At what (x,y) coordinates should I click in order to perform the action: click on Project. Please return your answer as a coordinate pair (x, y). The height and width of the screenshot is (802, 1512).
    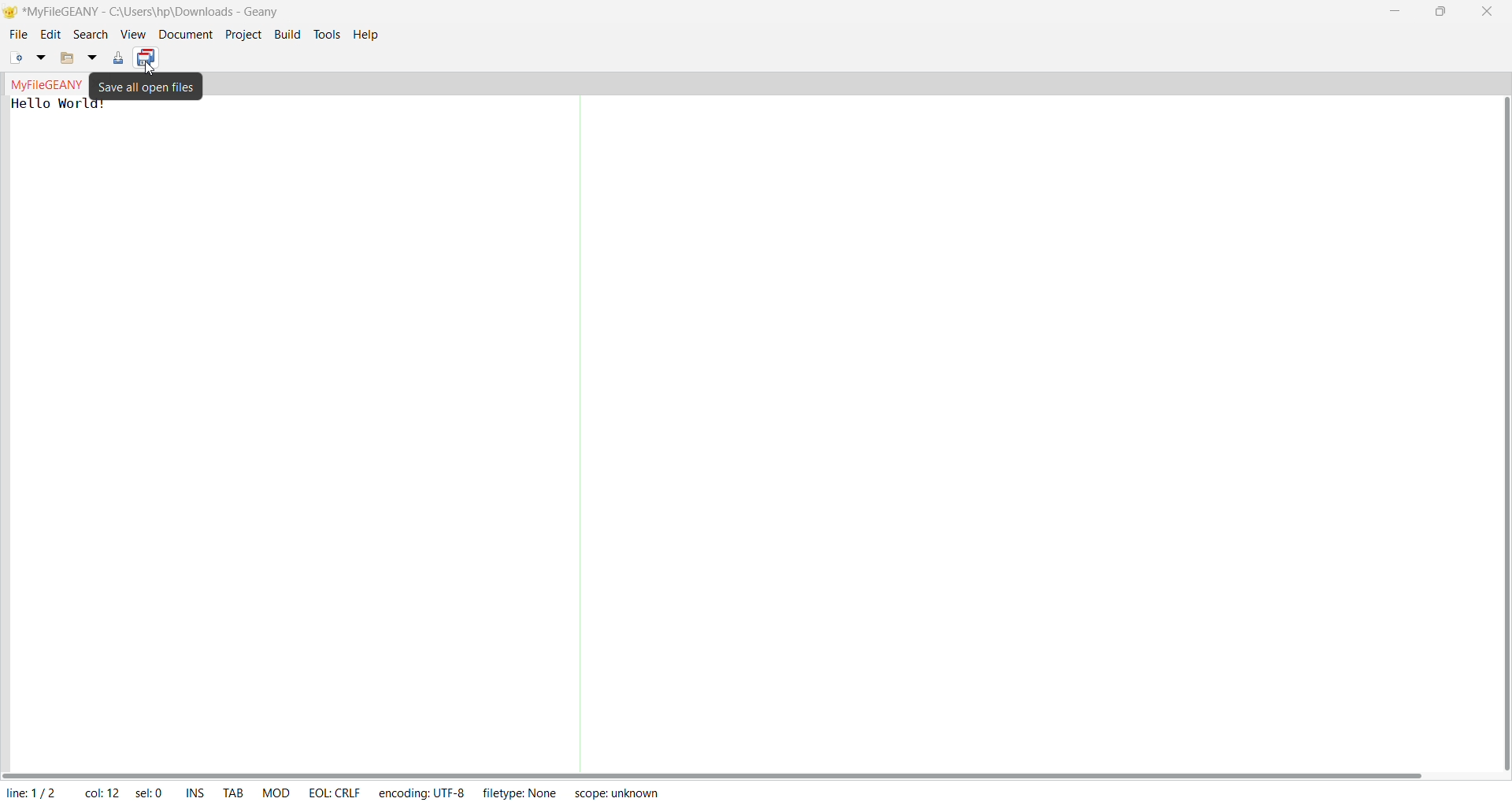
    Looking at the image, I should click on (242, 35).